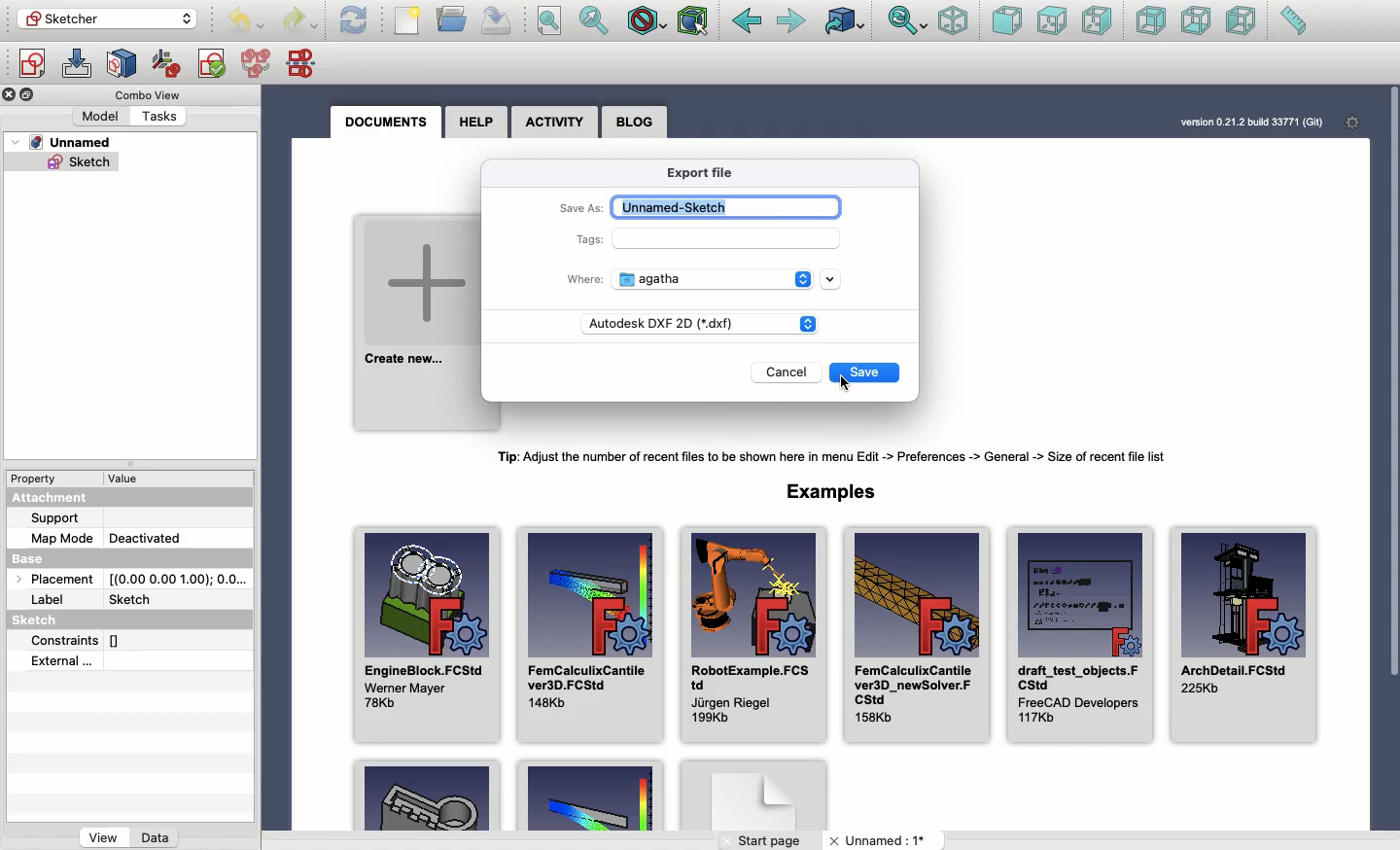 The height and width of the screenshot is (850, 1400). Describe the element at coordinates (304, 64) in the screenshot. I see `Mirror sketch` at that location.